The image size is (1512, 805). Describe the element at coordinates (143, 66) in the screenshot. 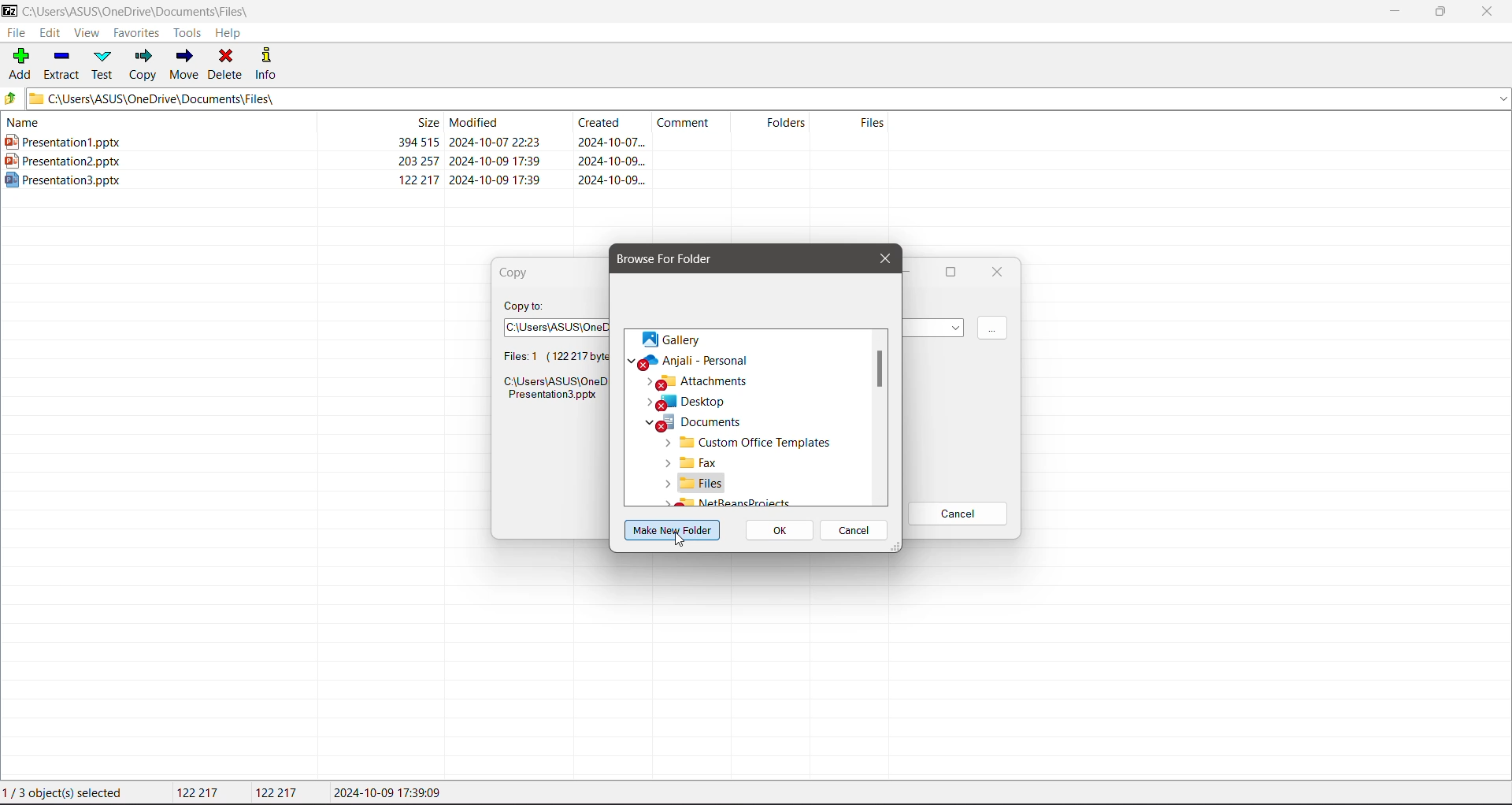

I see `Copy` at that location.